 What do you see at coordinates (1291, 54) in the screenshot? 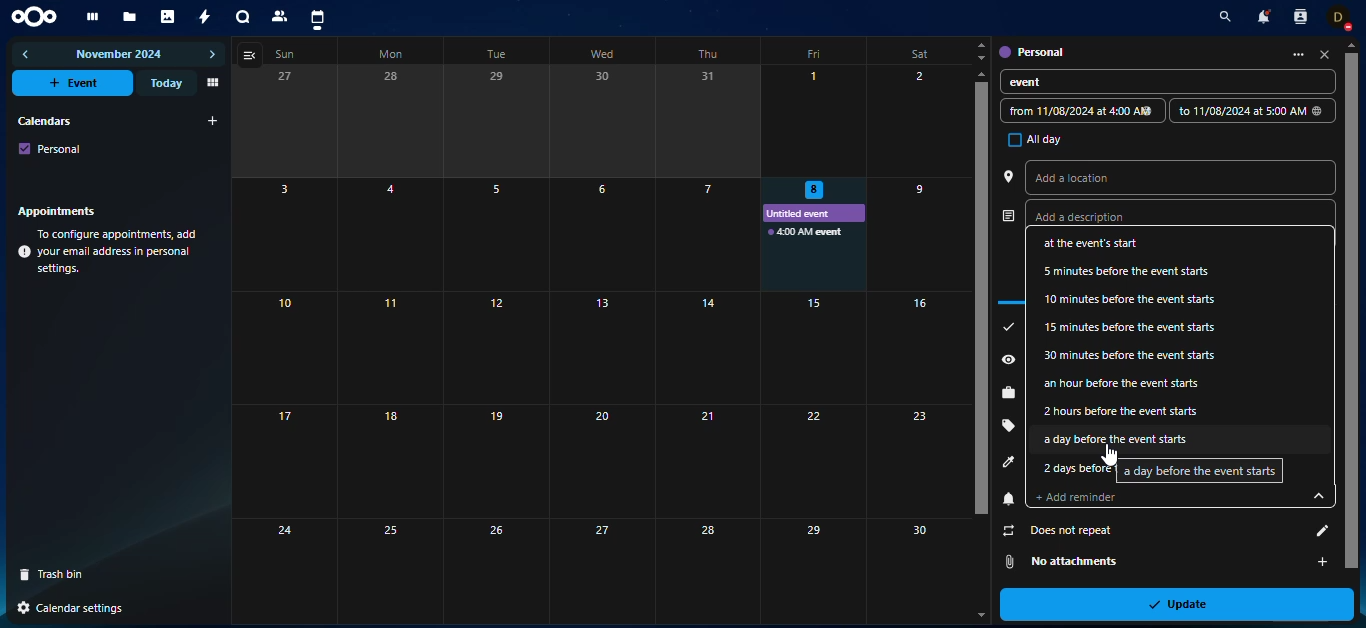
I see `more` at bounding box center [1291, 54].